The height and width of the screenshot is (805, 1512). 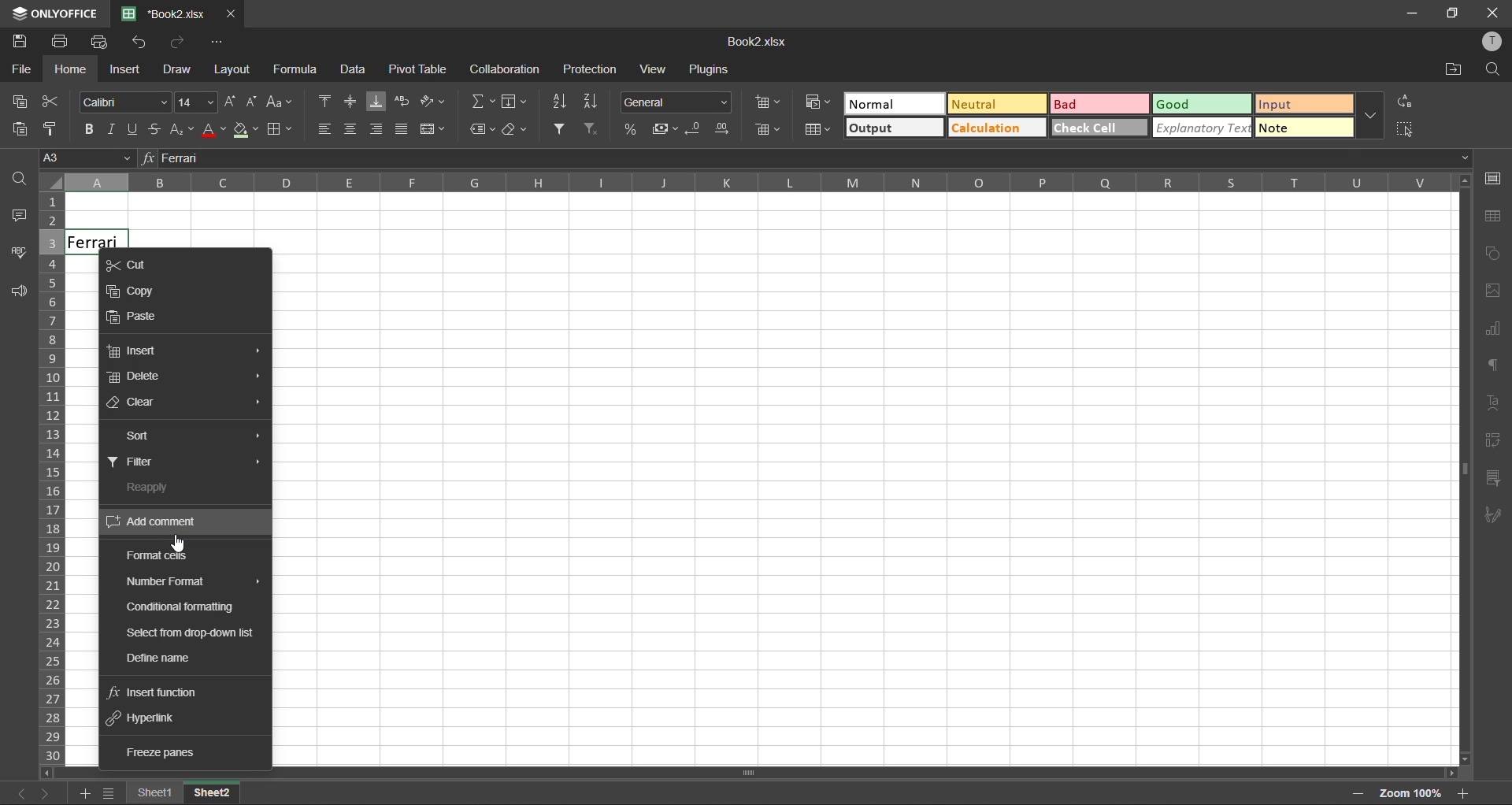 What do you see at coordinates (138, 263) in the screenshot?
I see `cut` at bounding box center [138, 263].